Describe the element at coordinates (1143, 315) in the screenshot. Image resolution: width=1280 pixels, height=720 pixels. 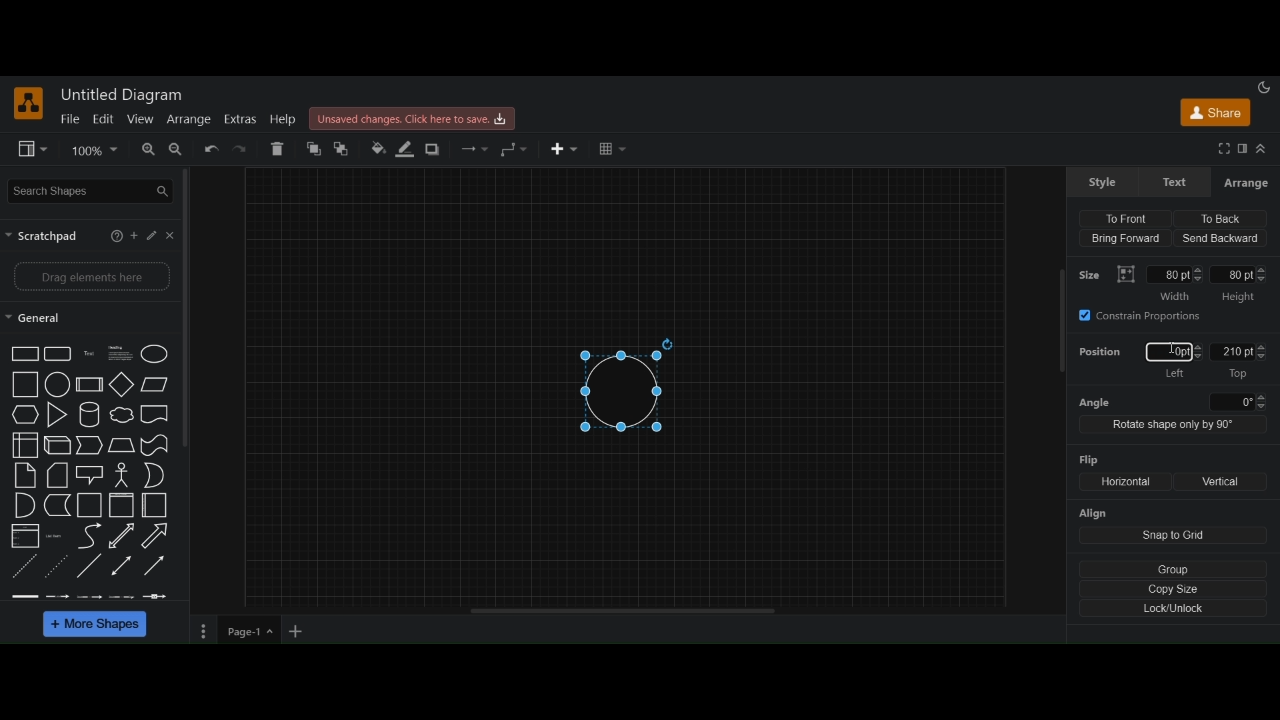
I see `constrain proportions` at that location.